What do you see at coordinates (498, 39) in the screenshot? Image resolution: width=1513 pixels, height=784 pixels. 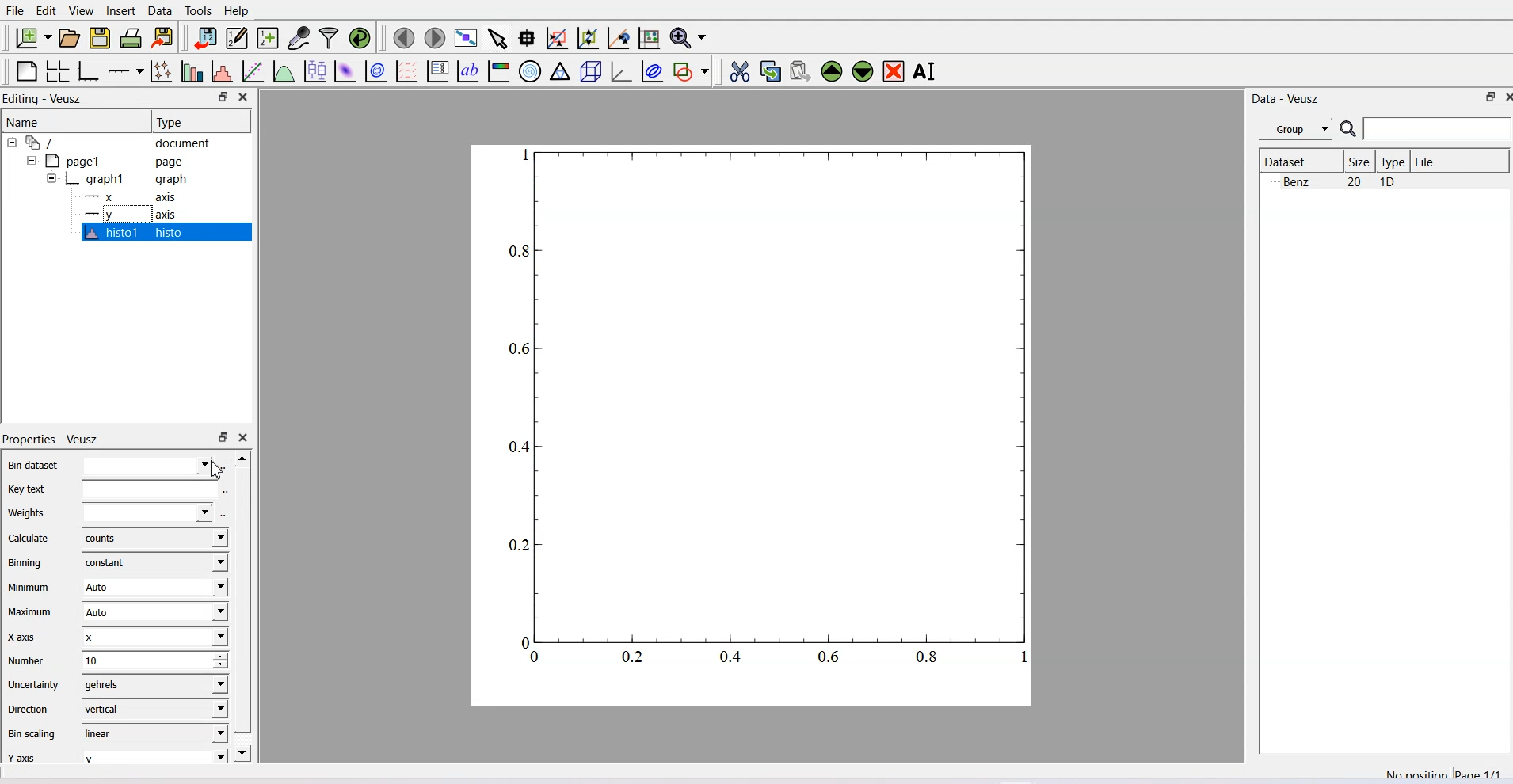 I see `Select items from graph or scroll` at bounding box center [498, 39].